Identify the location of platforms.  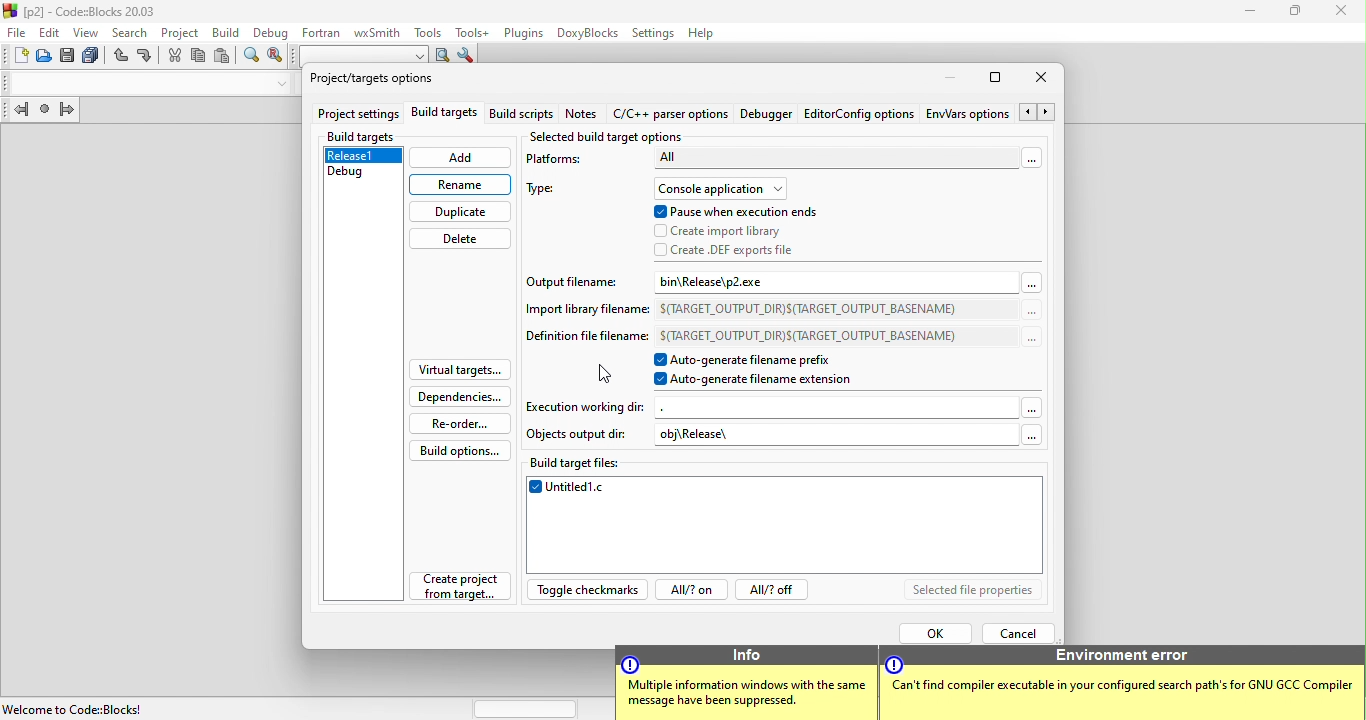
(562, 163).